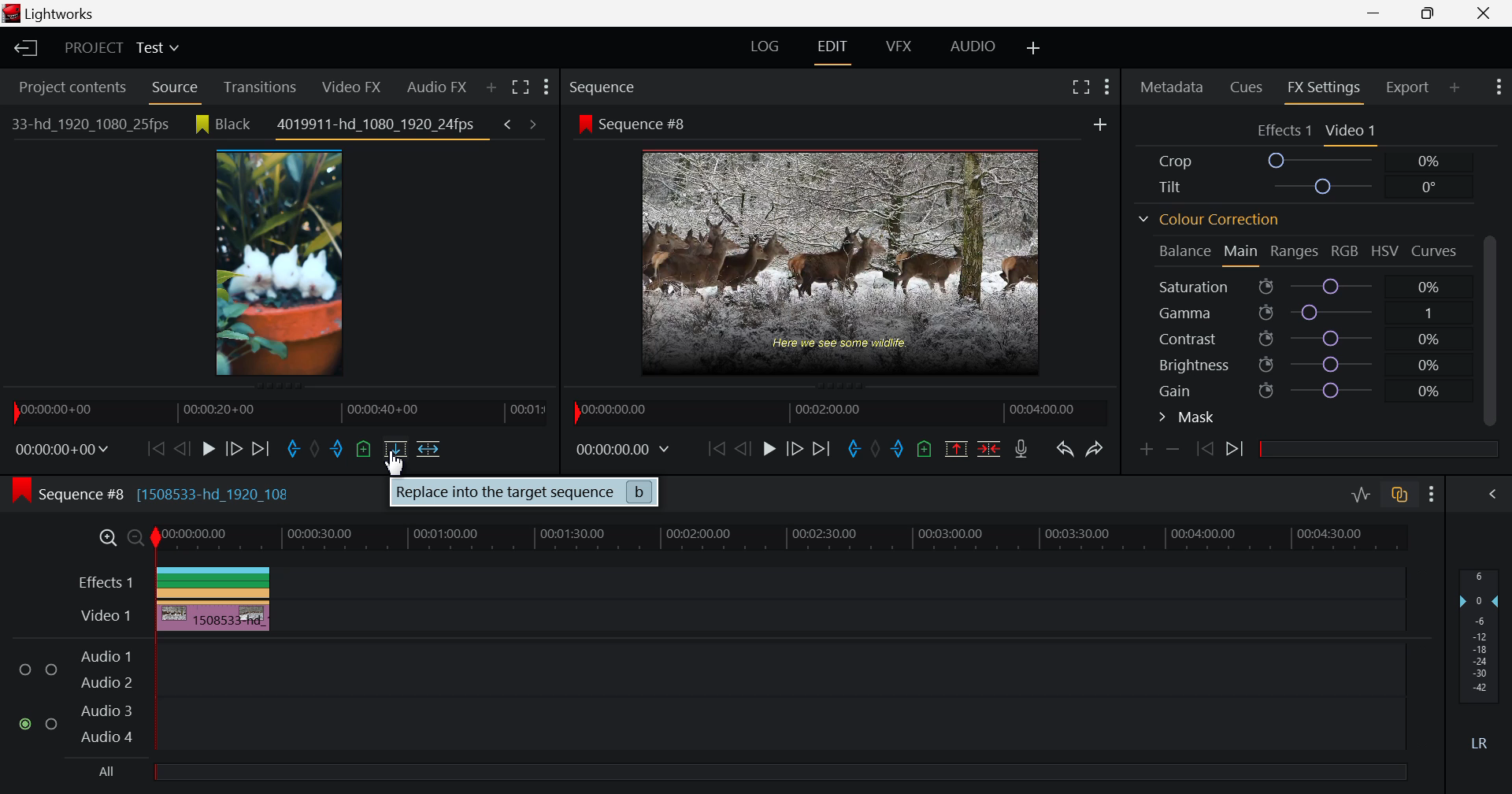 This screenshot has width=1512, height=794. Describe the element at coordinates (339, 453) in the screenshot. I see `Mark Out` at that location.